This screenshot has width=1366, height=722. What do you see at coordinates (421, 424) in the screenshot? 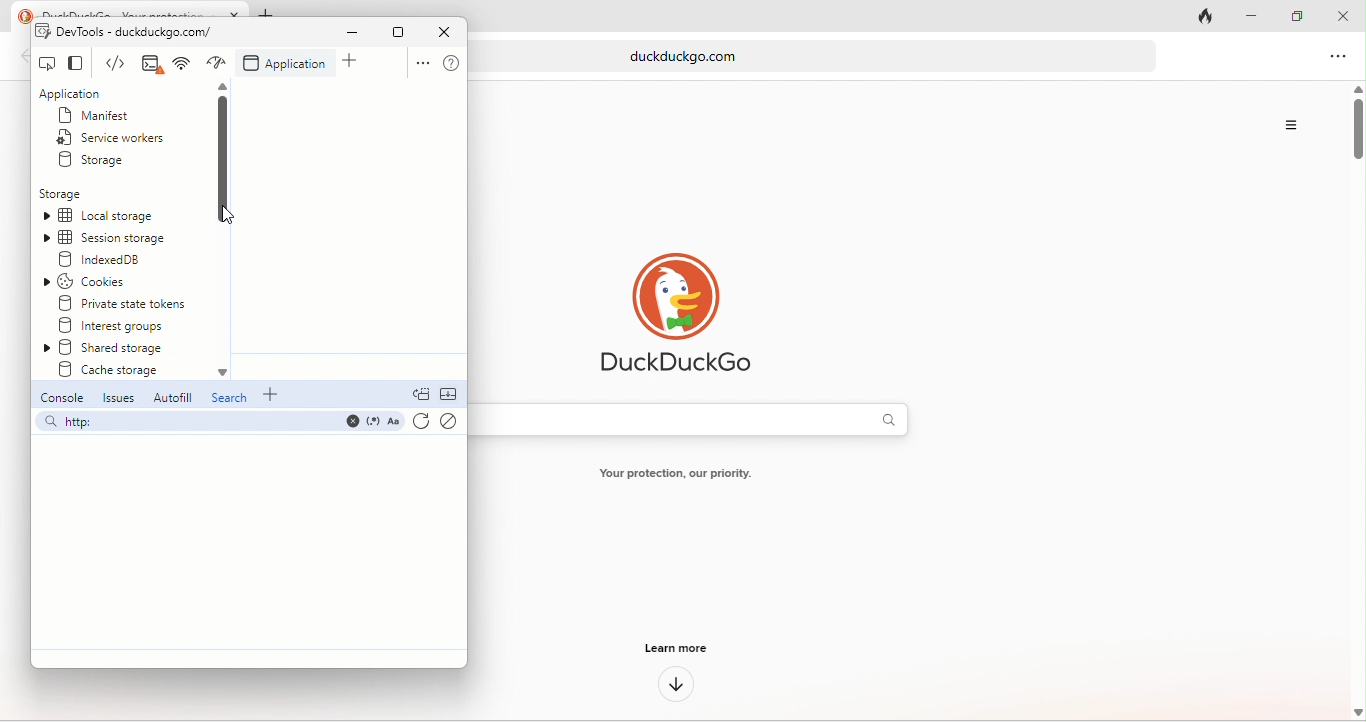
I see `refresh` at bounding box center [421, 424].